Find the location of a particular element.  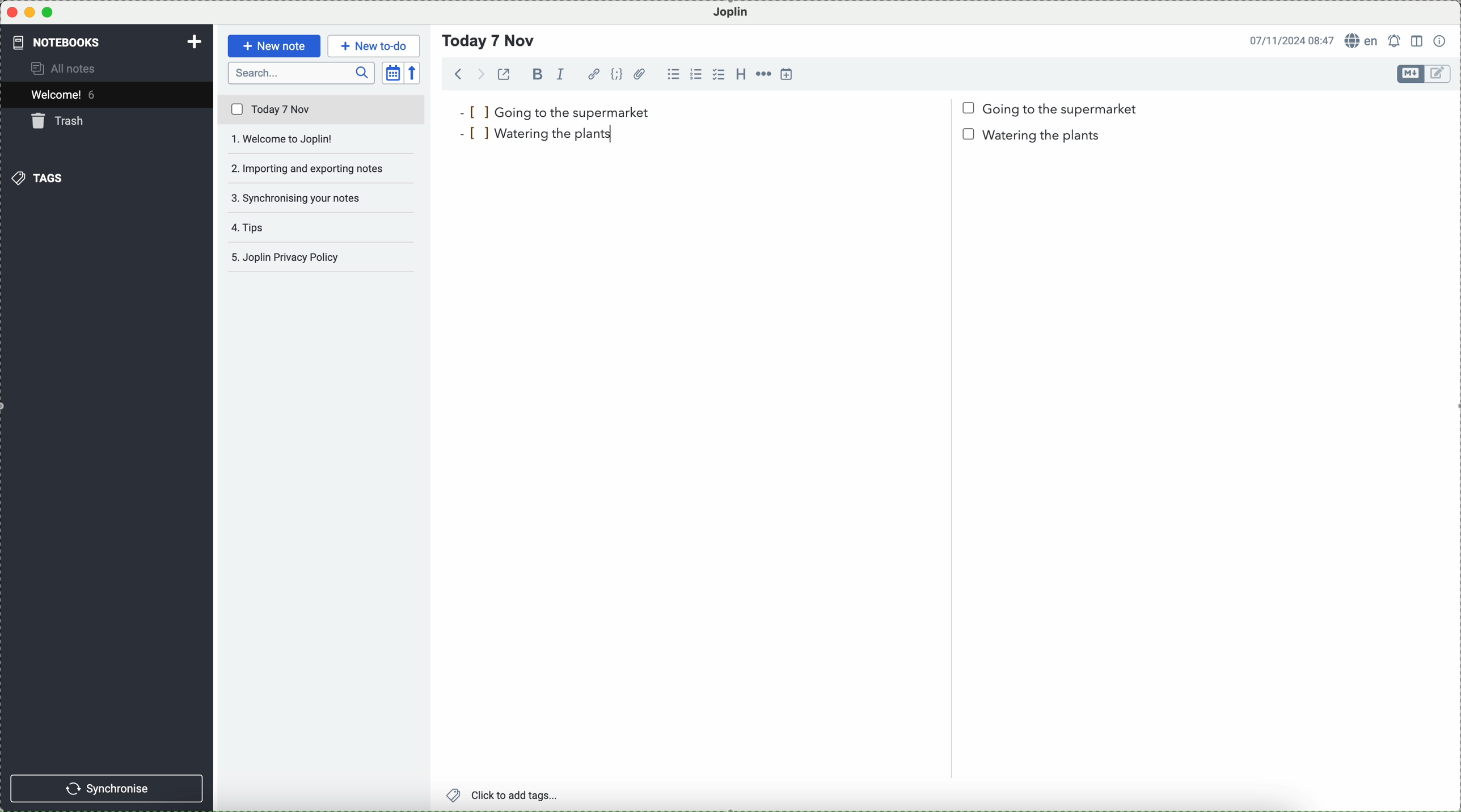

toggle sort order field is located at coordinates (393, 73).